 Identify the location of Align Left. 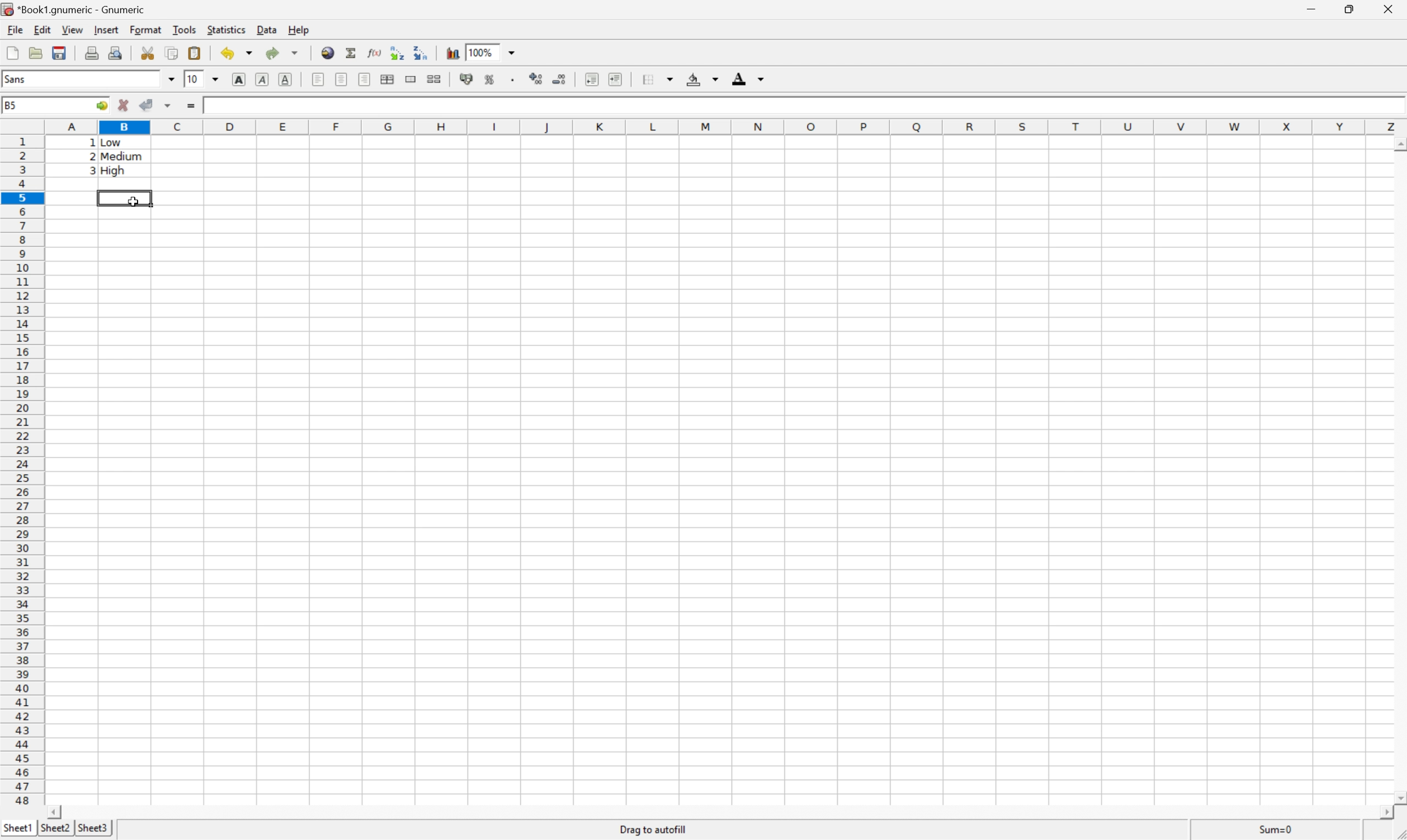
(318, 78).